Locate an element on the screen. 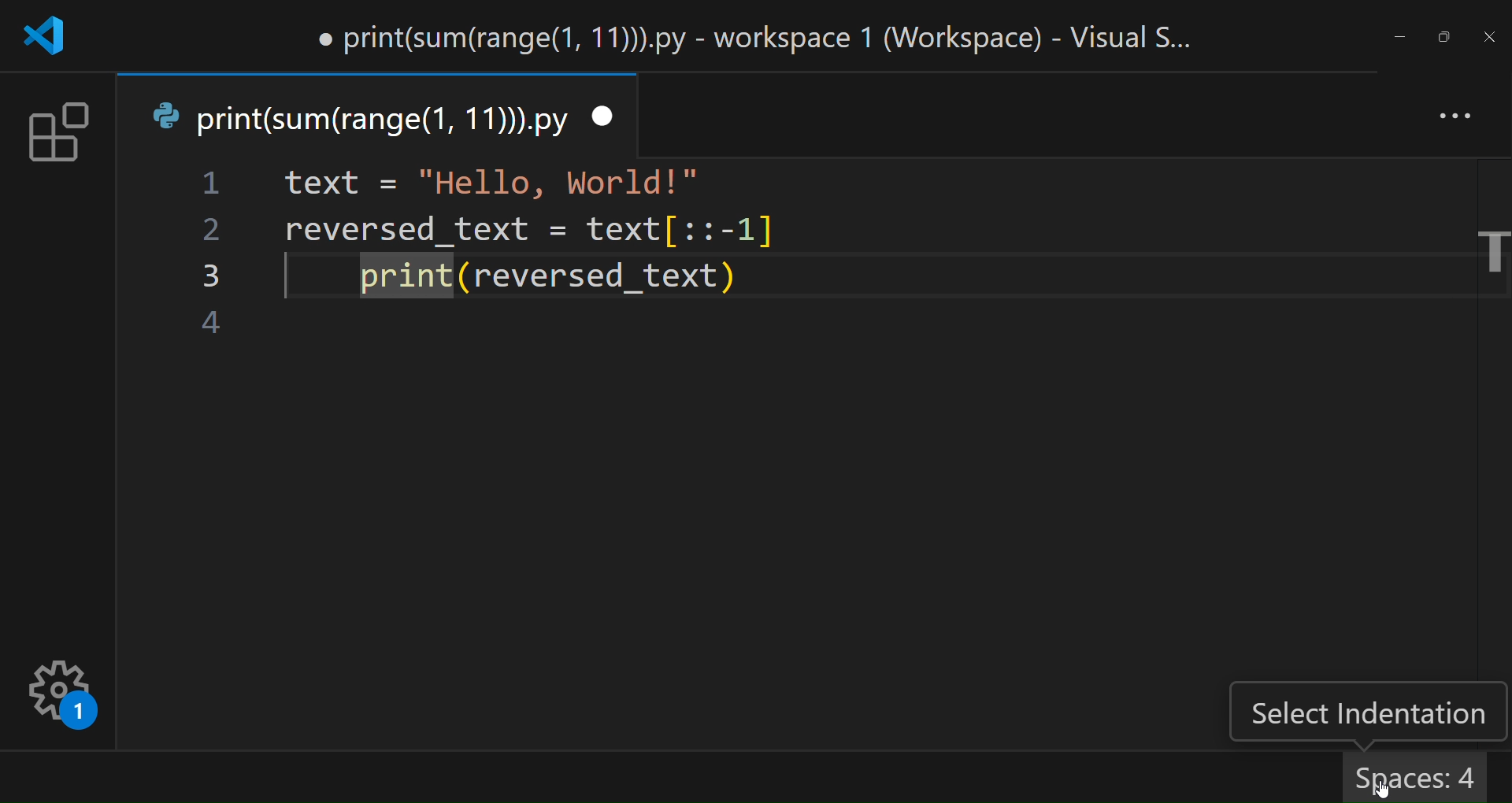 The width and height of the screenshot is (1512, 803). close is located at coordinates (1492, 36).